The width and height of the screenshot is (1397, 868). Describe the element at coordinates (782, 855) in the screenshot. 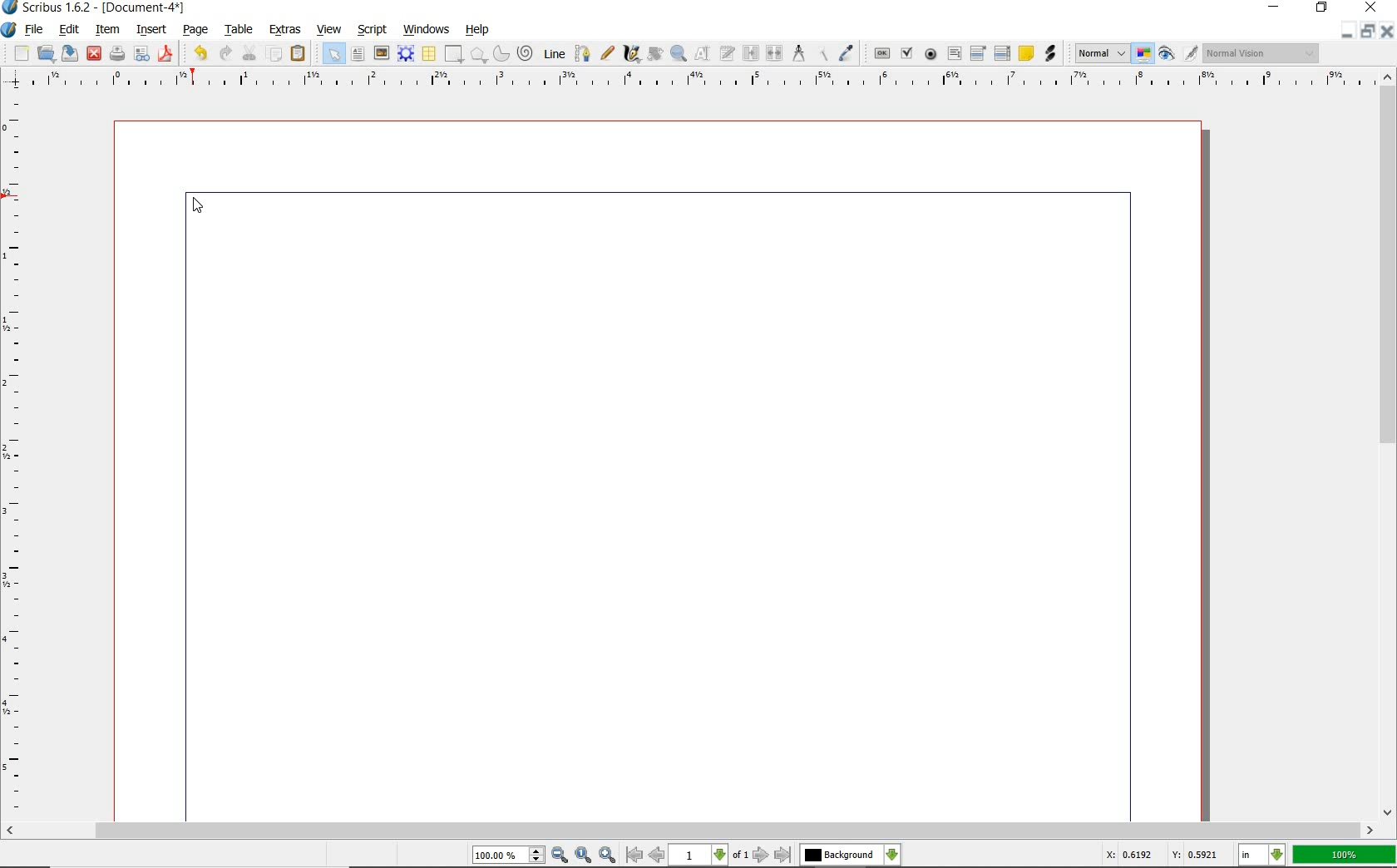

I see `go to last page` at that location.